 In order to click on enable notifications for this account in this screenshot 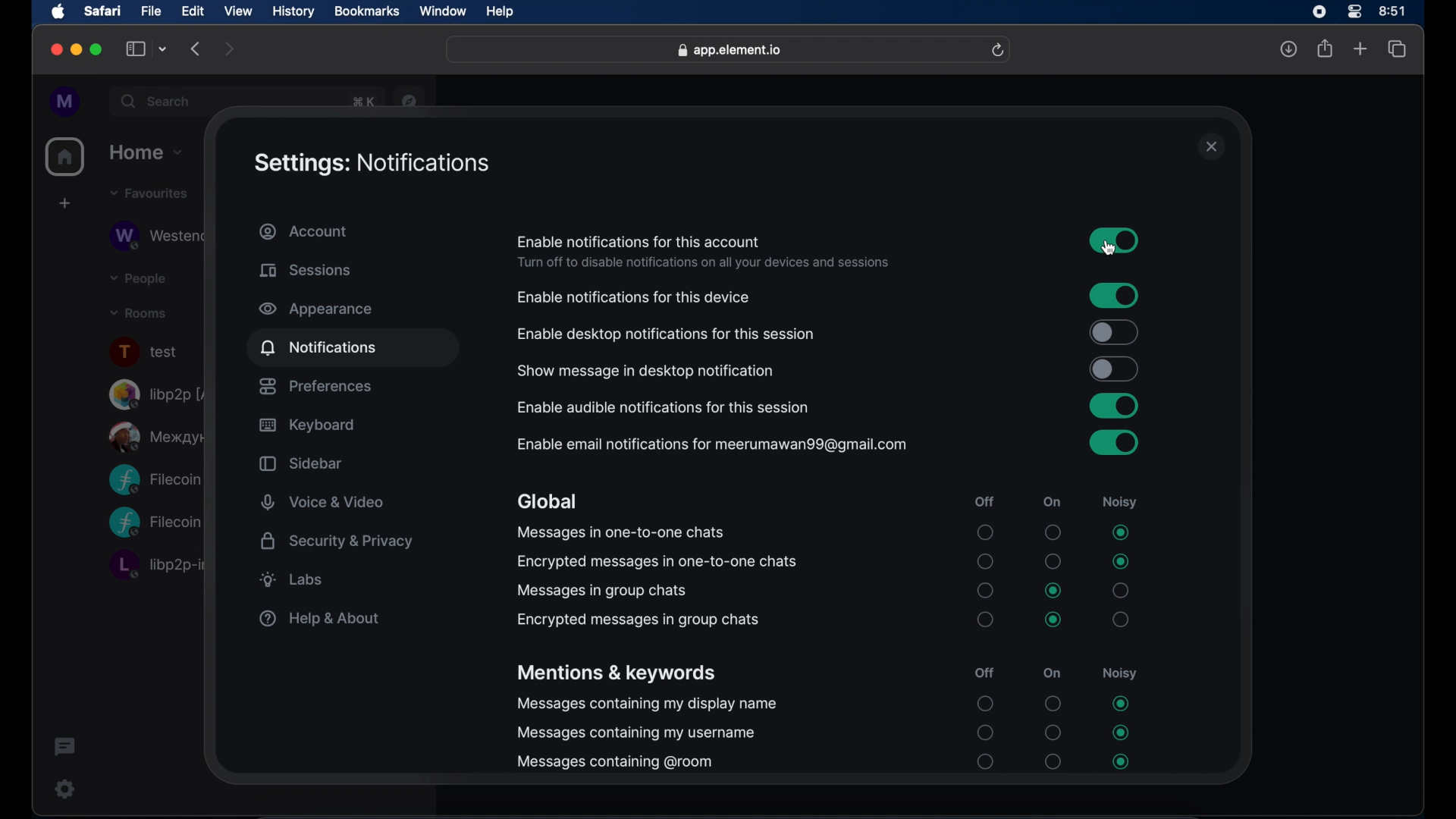, I will do `click(638, 242)`.